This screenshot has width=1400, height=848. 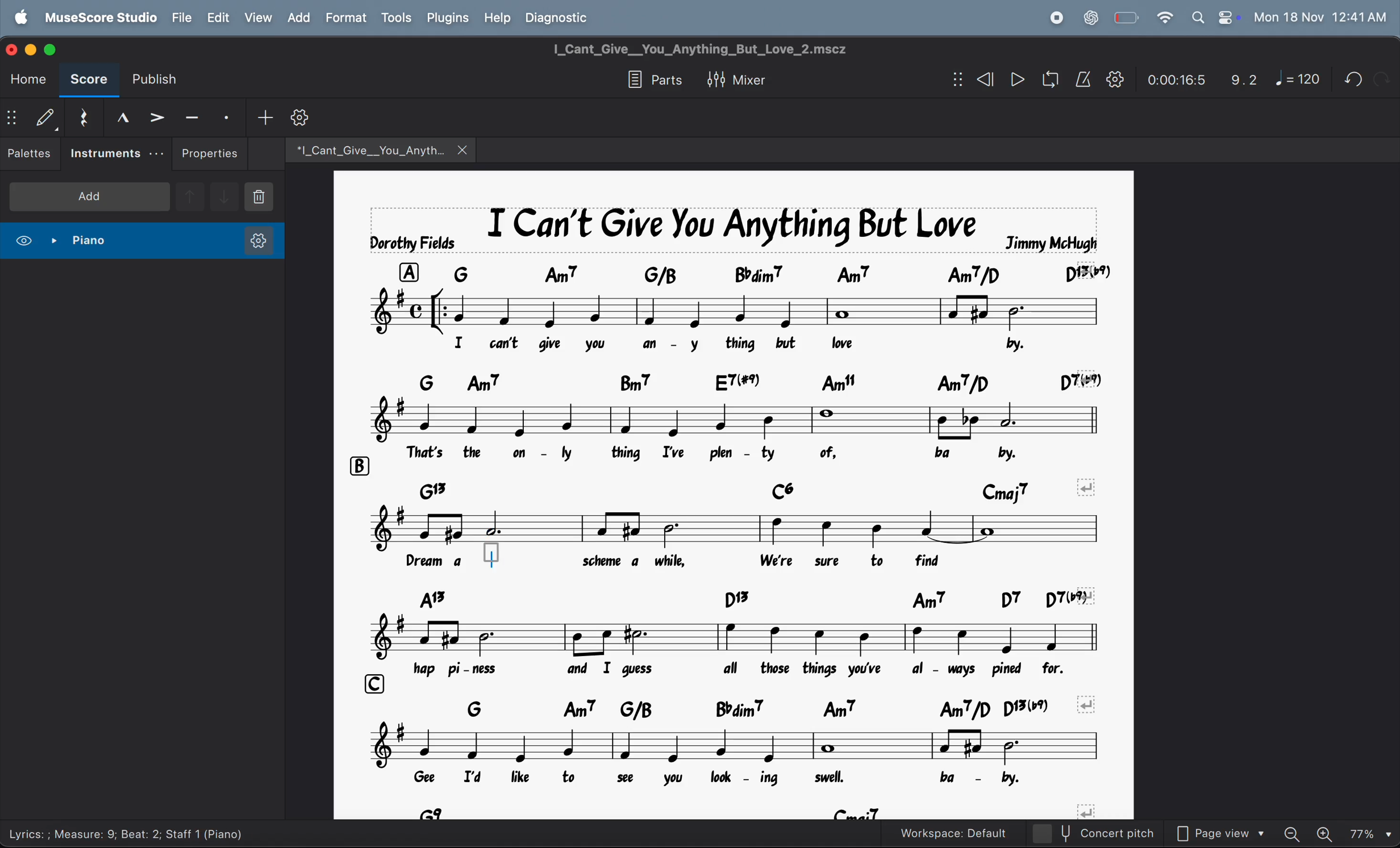 I want to click on search, so click(x=1194, y=17).